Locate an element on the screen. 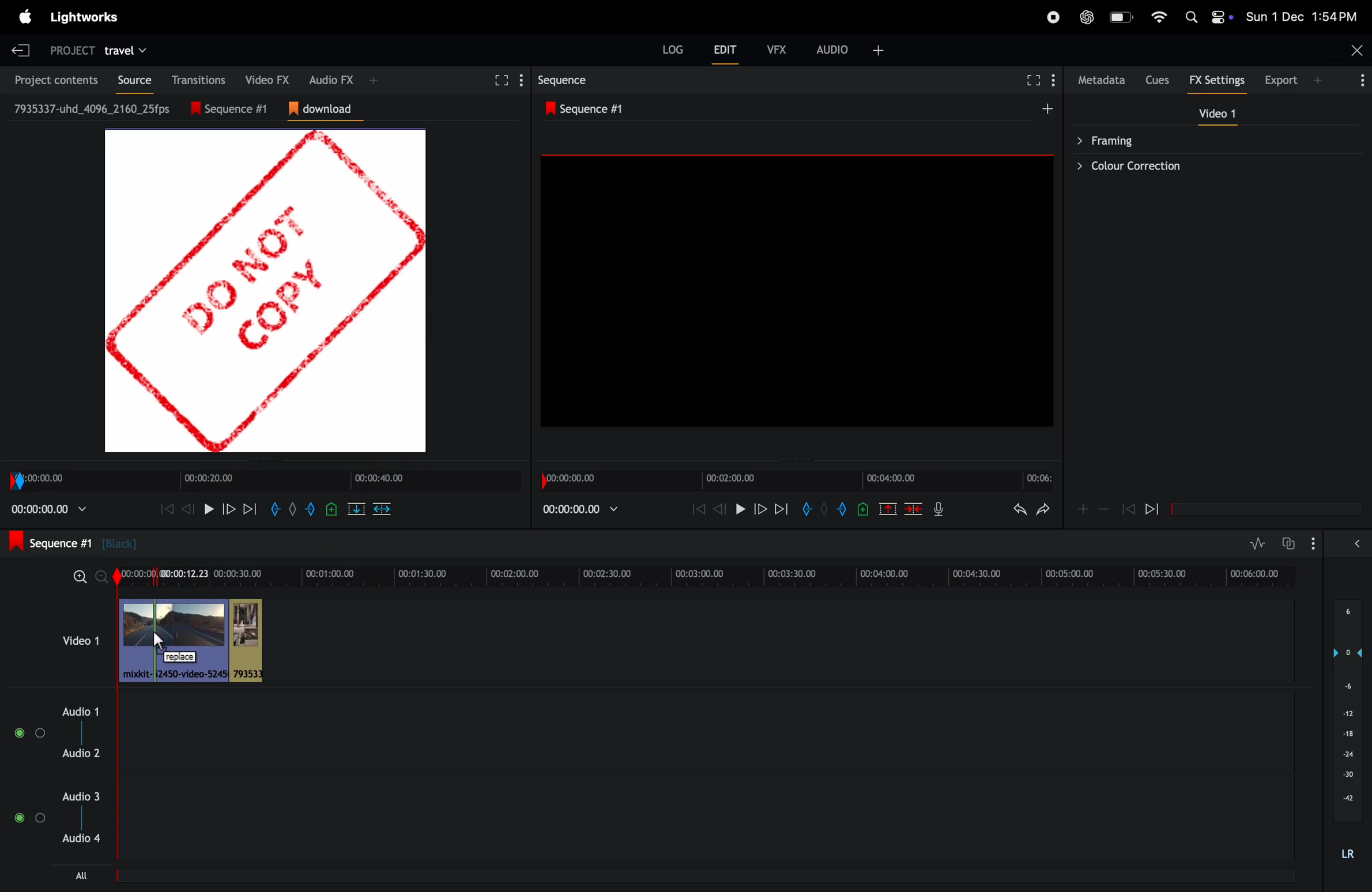 This screenshot has height=892, width=1372. audio fx is located at coordinates (331, 79).